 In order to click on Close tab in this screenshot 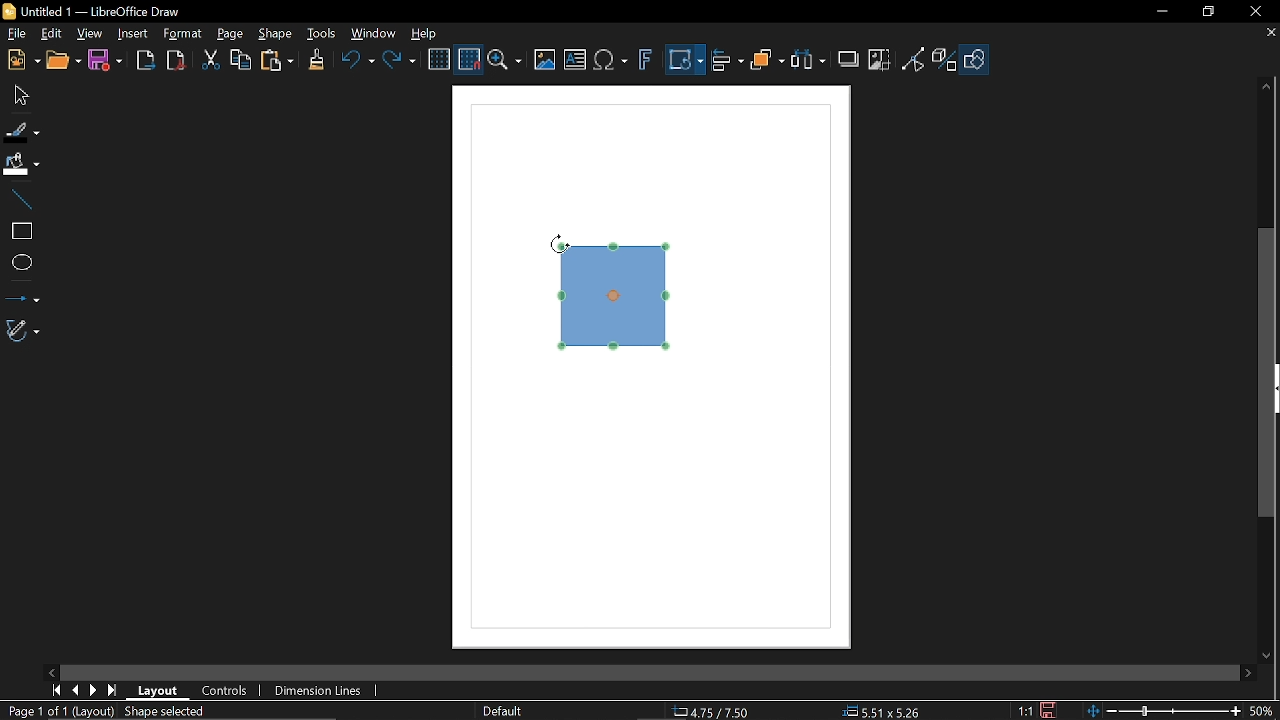, I will do `click(1272, 33)`.